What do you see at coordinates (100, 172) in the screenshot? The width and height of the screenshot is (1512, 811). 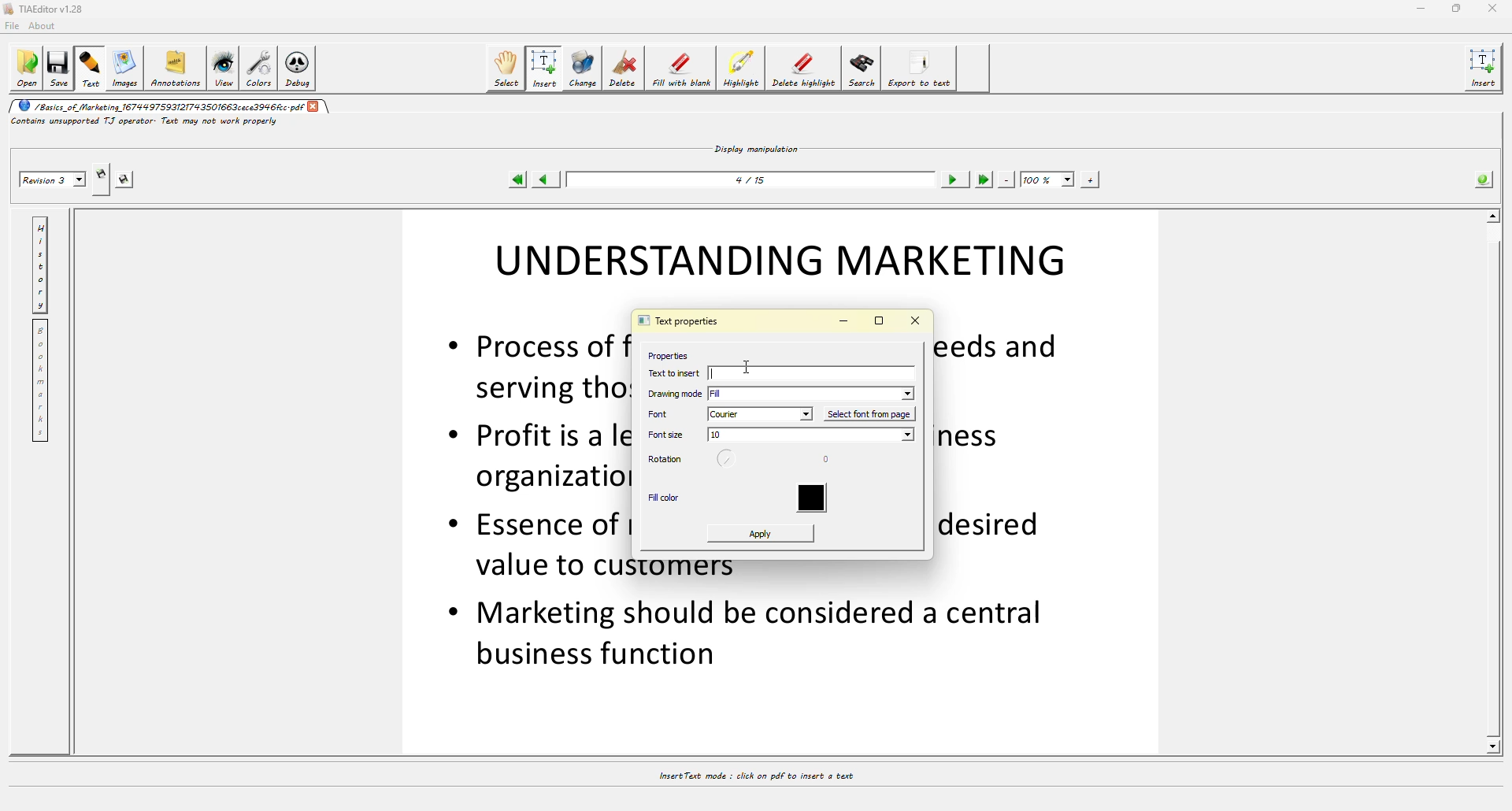 I see `creates new revision` at bounding box center [100, 172].